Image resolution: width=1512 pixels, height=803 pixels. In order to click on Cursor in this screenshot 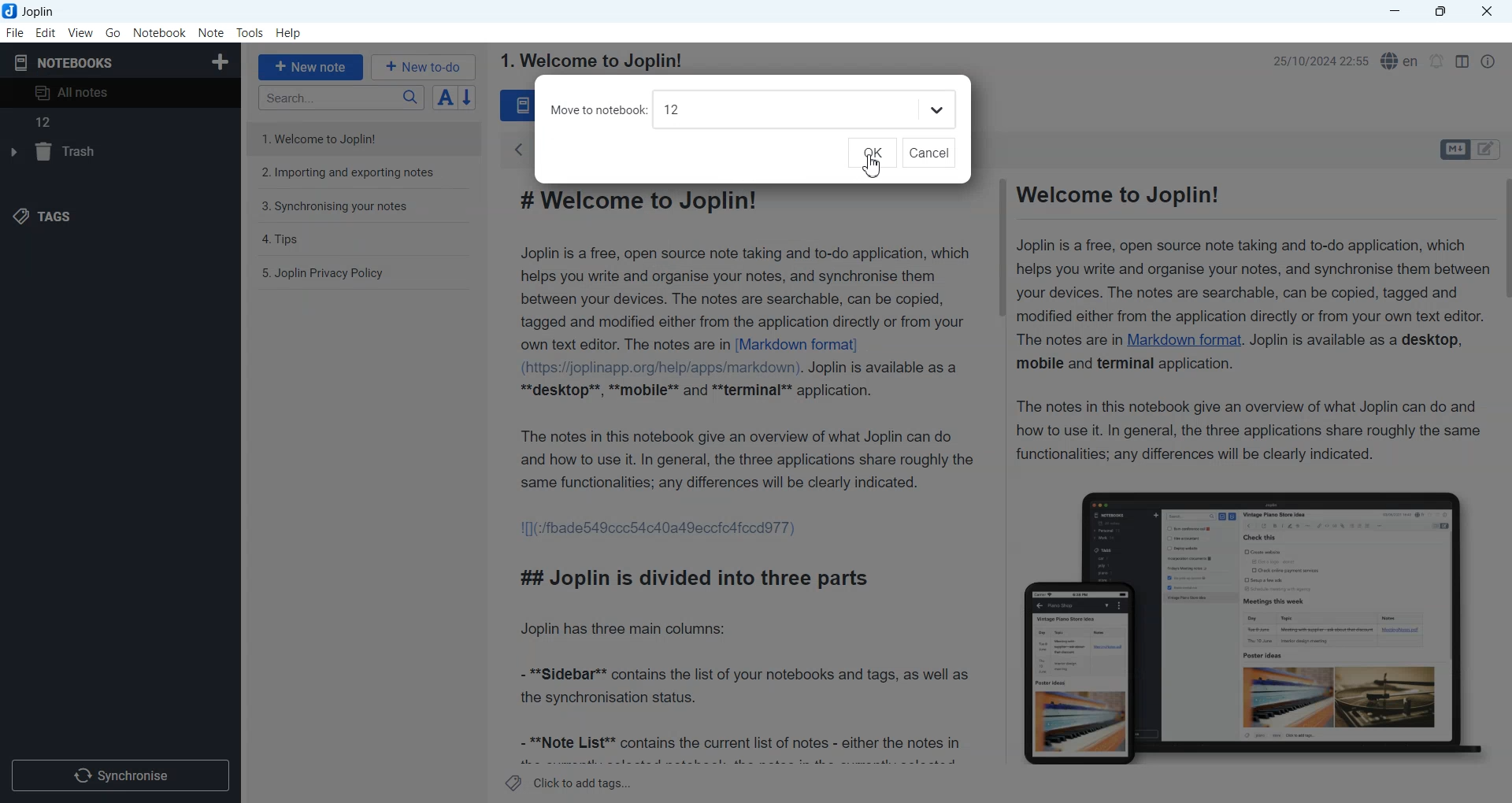, I will do `click(872, 166)`.